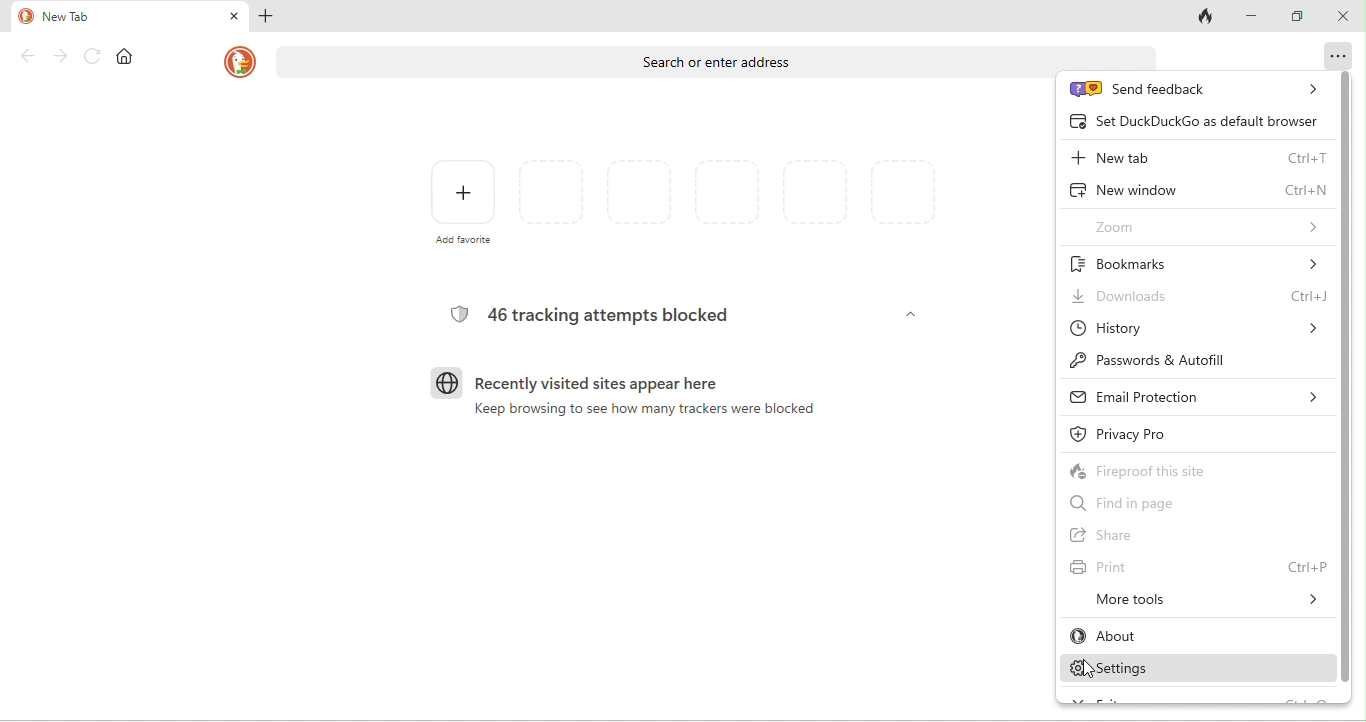  What do you see at coordinates (589, 385) in the screenshot?
I see `recently visited sites appear here` at bounding box center [589, 385].